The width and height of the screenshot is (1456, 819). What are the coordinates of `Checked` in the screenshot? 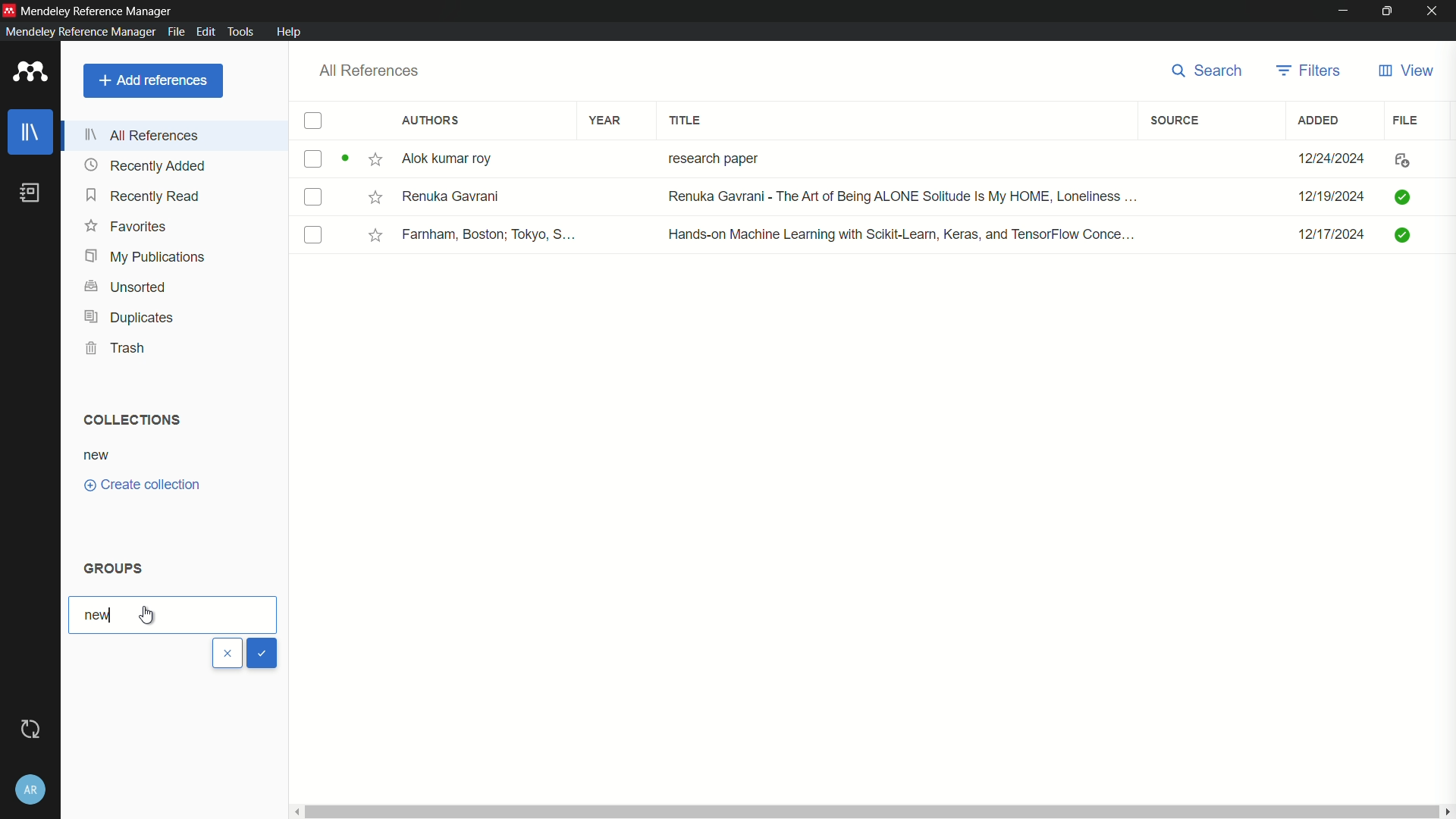 It's located at (1405, 234).